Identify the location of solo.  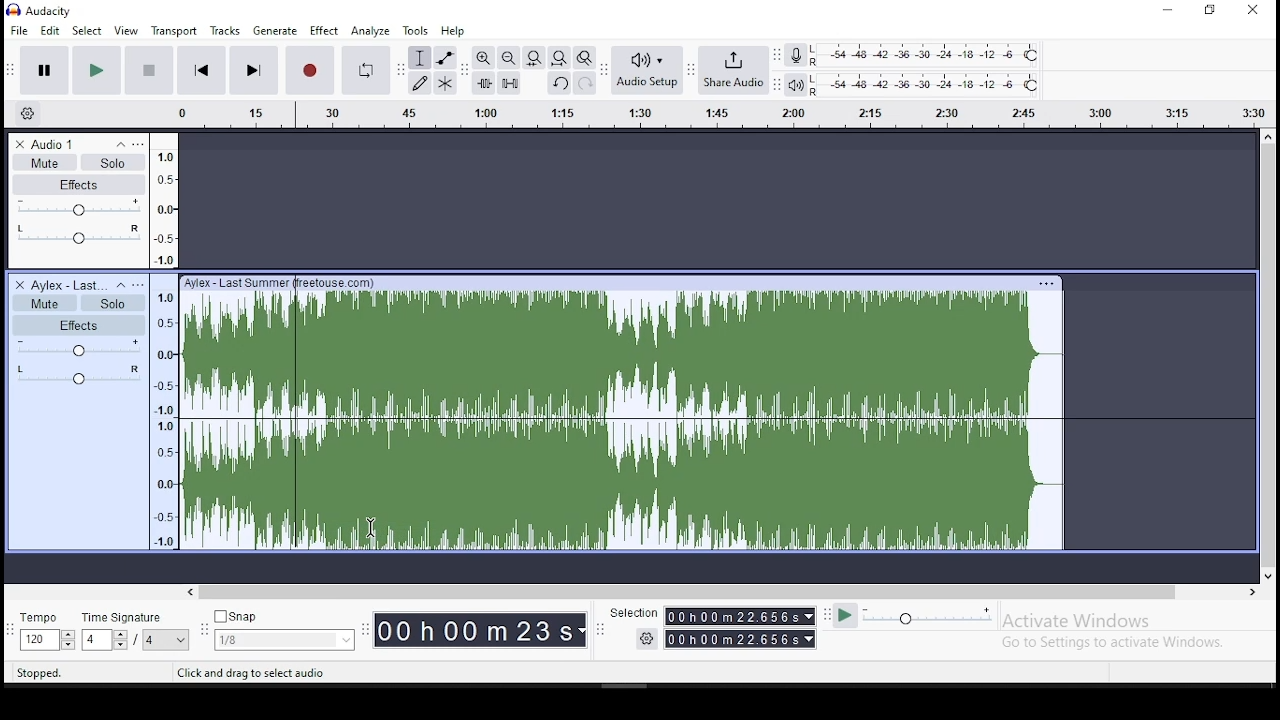
(110, 302).